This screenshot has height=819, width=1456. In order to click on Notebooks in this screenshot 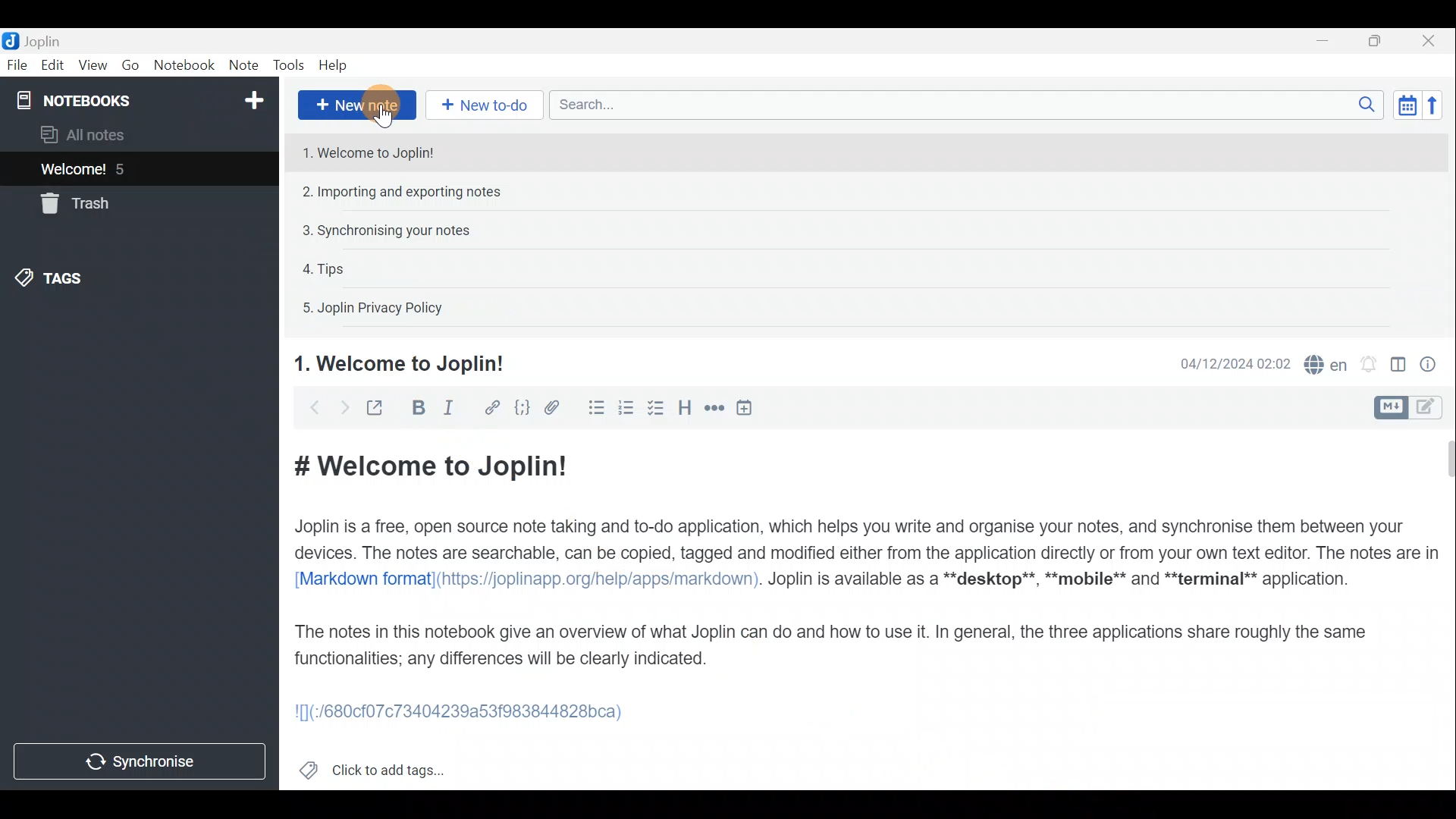, I will do `click(142, 99)`.